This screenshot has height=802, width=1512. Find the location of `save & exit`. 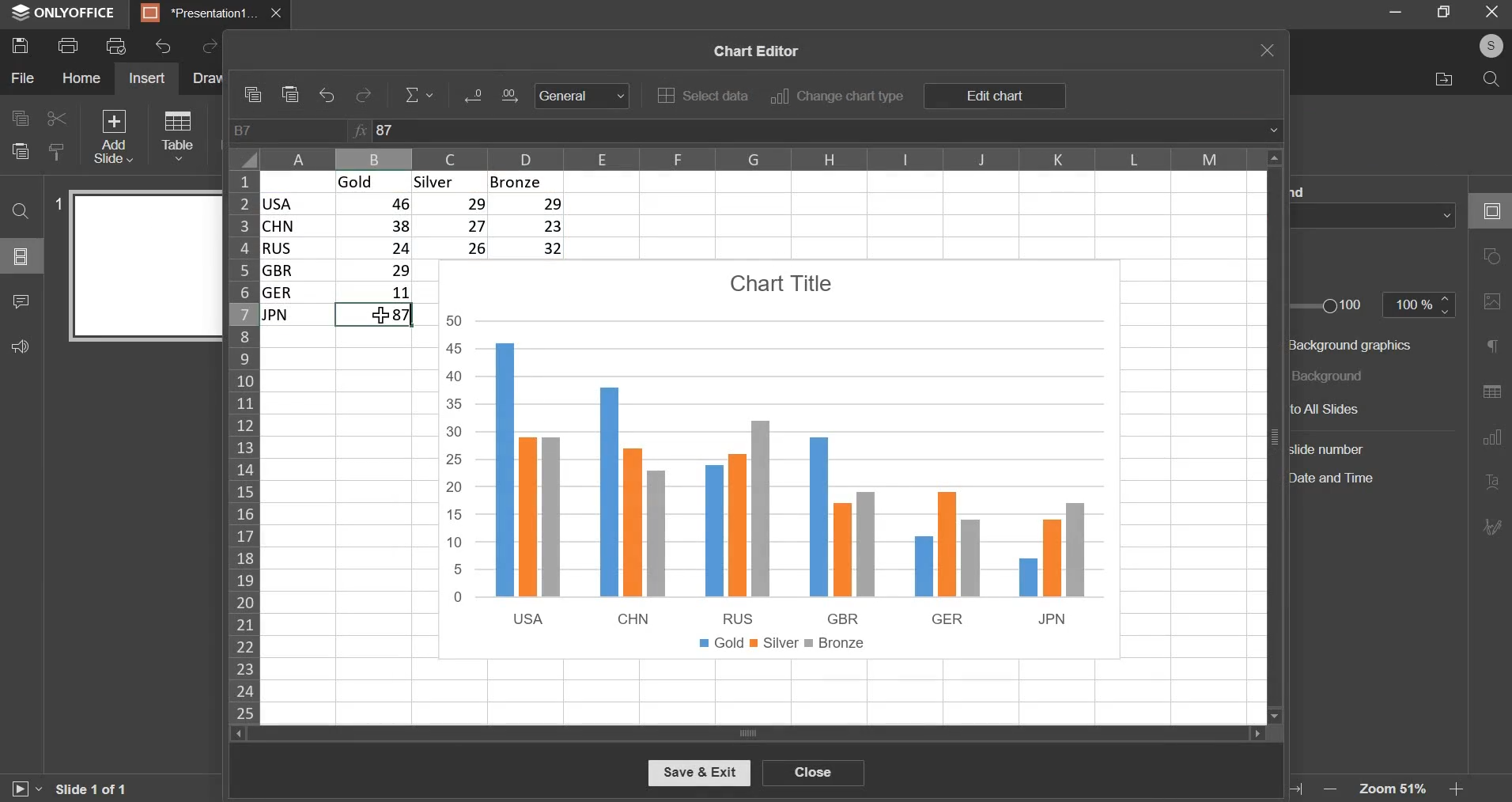

save & exit is located at coordinates (698, 774).